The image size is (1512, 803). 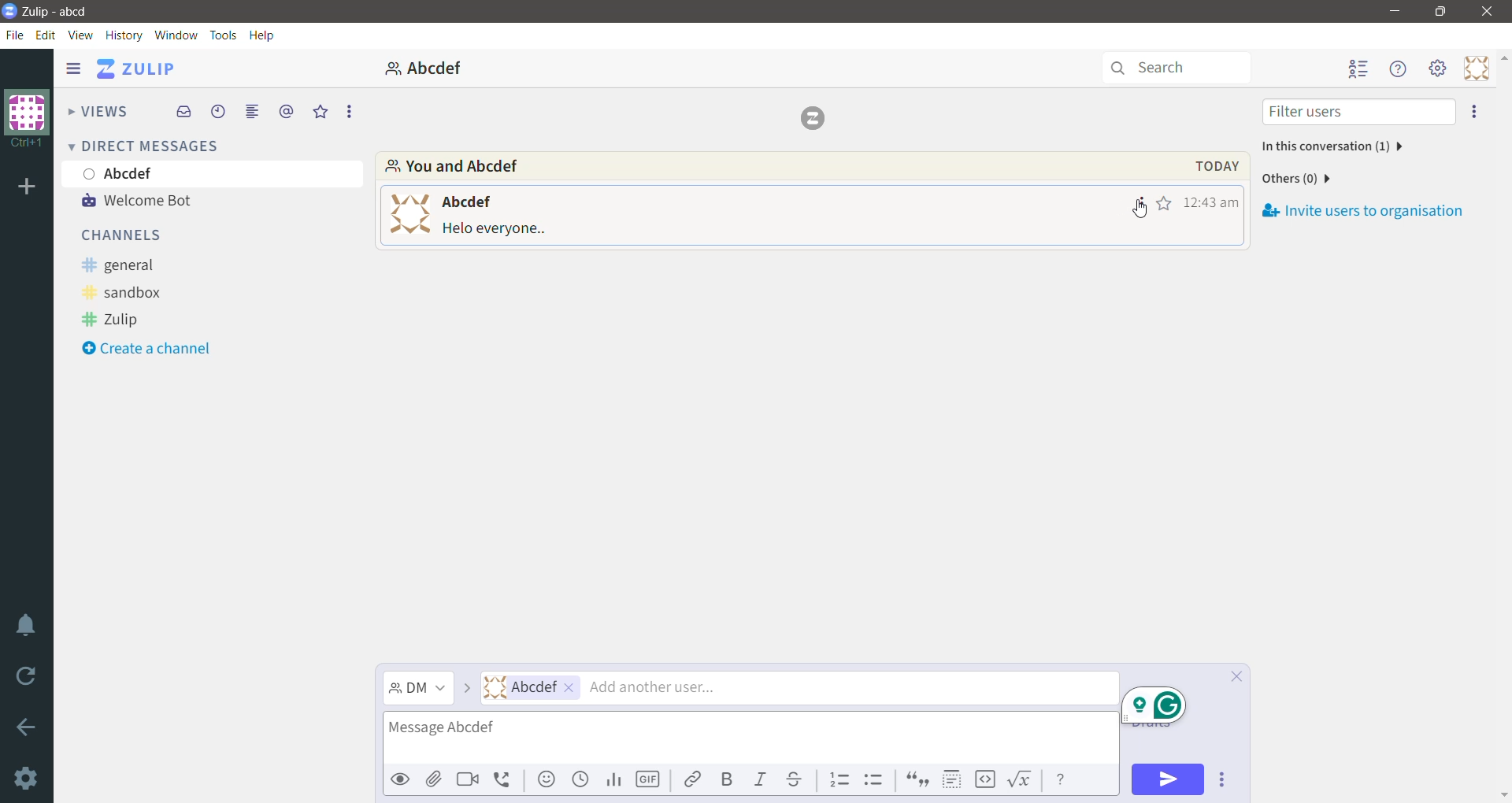 What do you see at coordinates (73, 68) in the screenshot?
I see `Show/Hide left sidebar` at bounding box center [73, 68].